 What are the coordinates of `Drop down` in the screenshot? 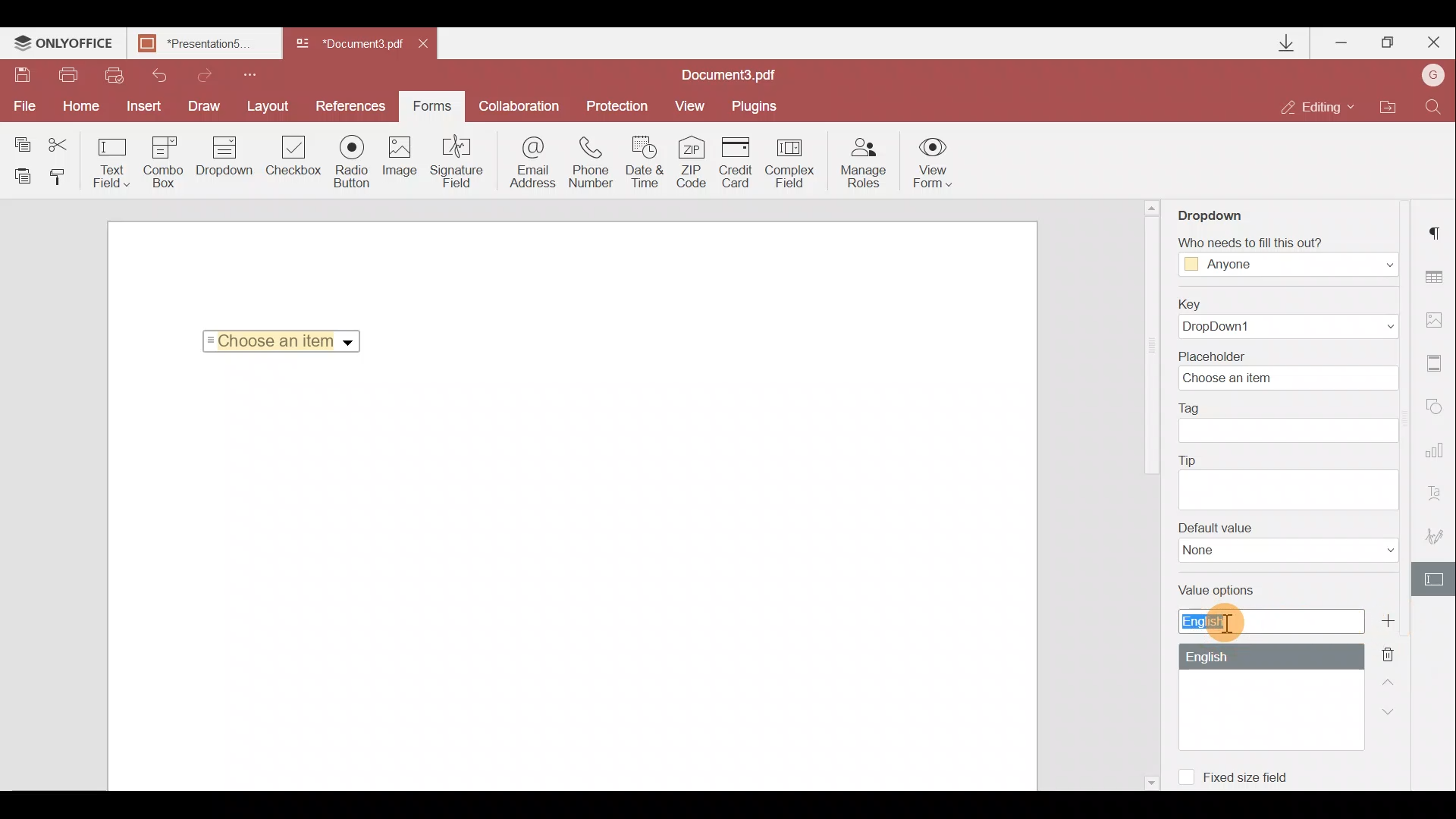 It's located at (224, 158).